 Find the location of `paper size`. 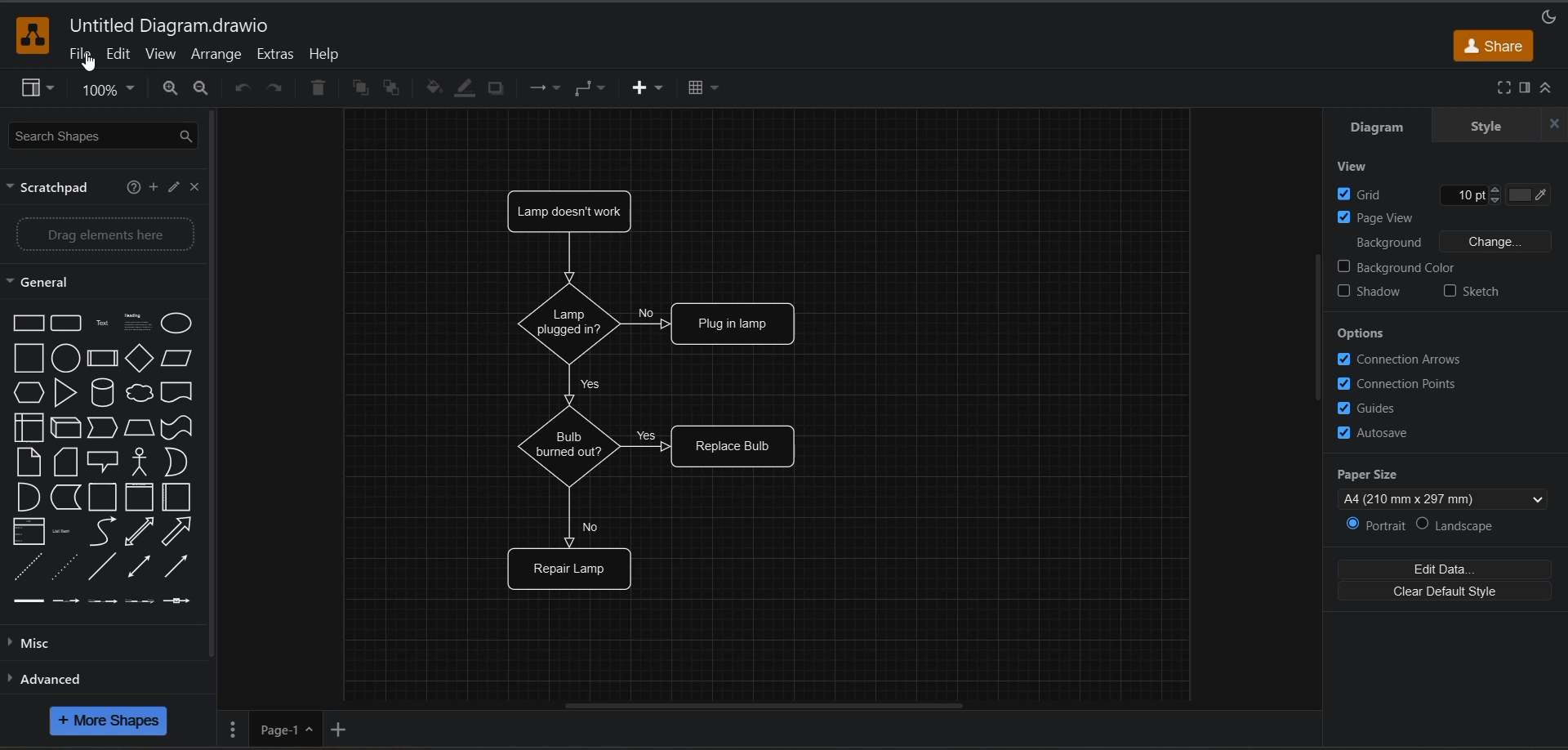

paper size is located at coordinates (1440, 486).